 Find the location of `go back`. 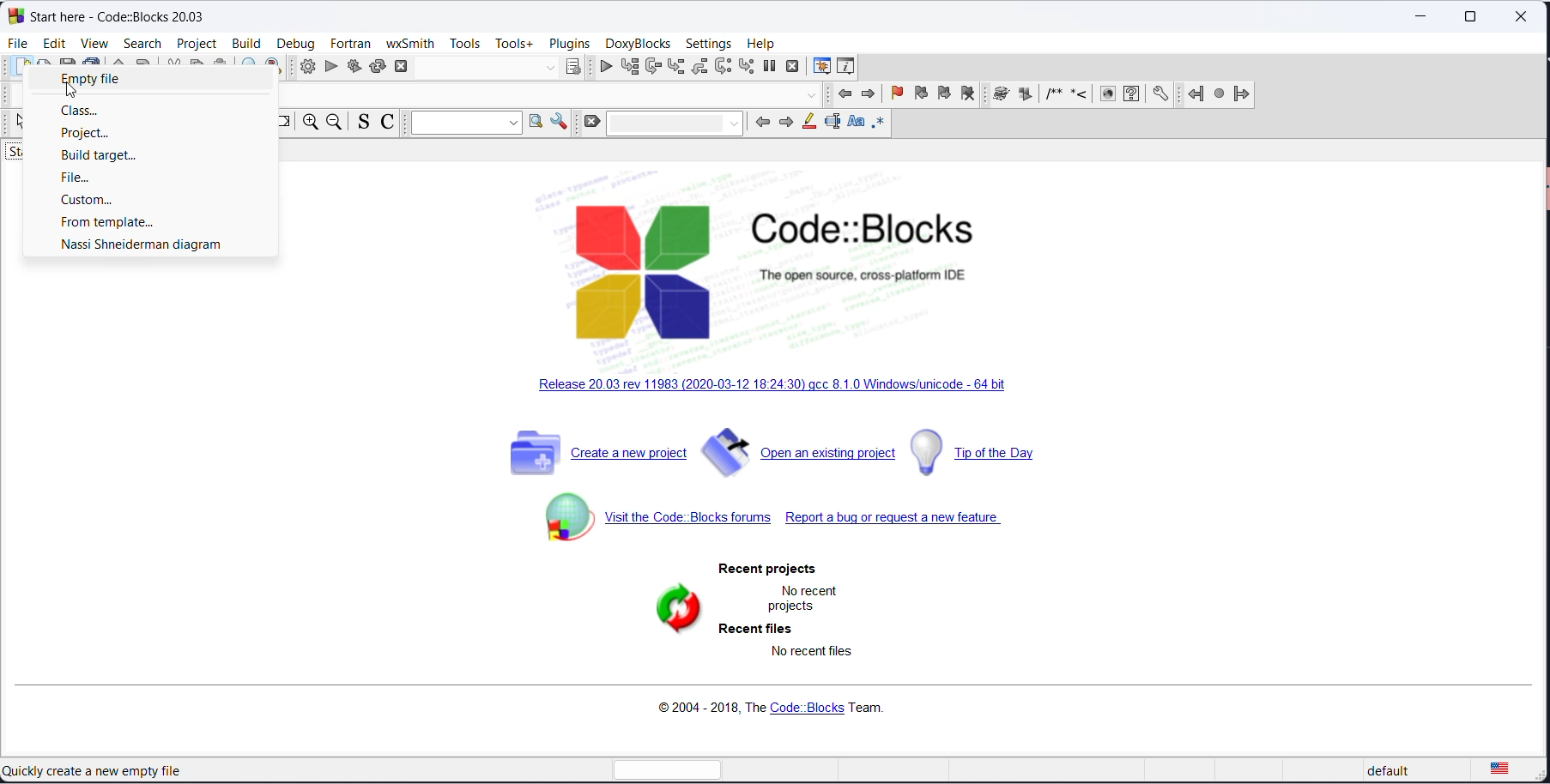

go back is located at coordinates (845, 94).